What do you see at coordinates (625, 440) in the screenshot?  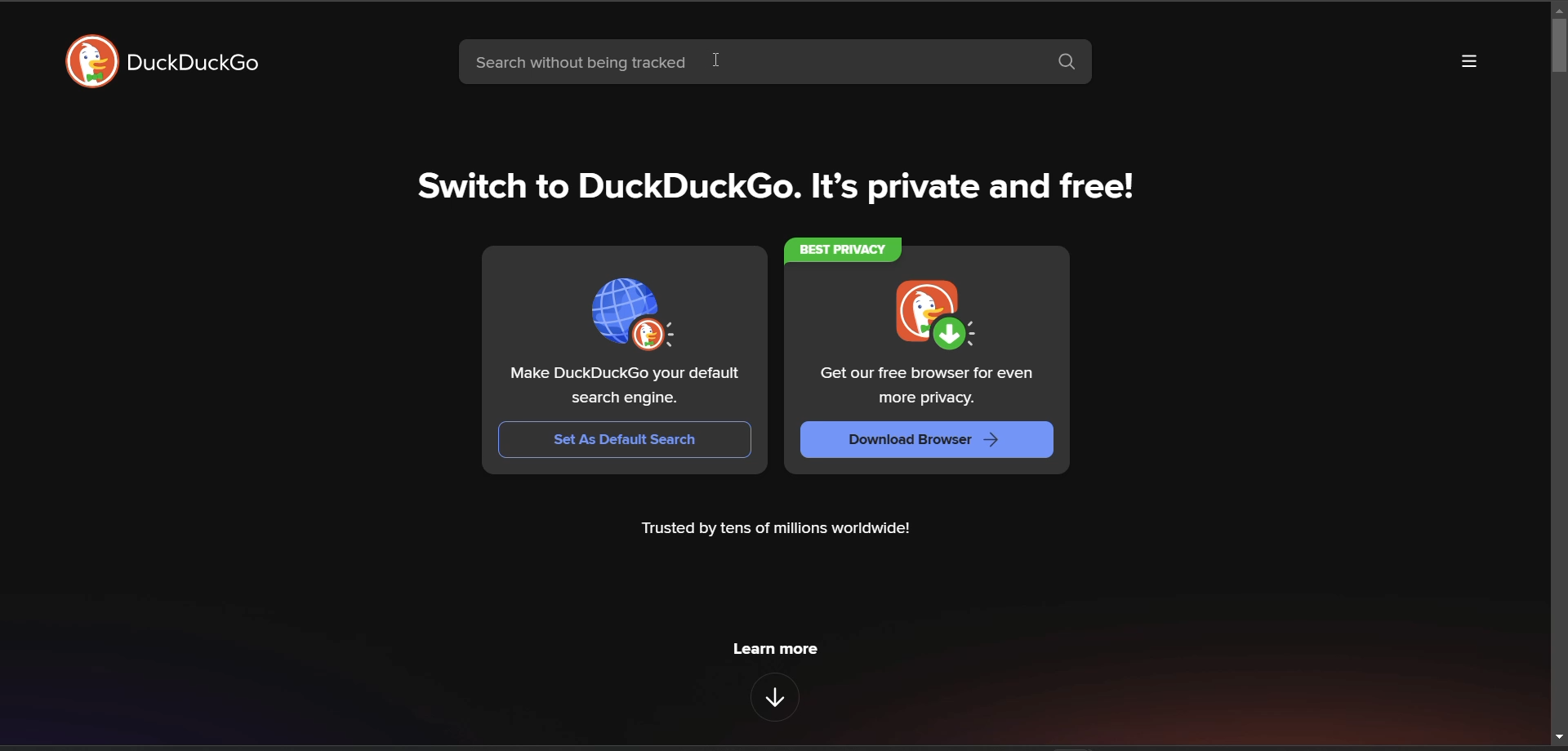 I see `Set As Default Search` at bounding box center [625, 440].